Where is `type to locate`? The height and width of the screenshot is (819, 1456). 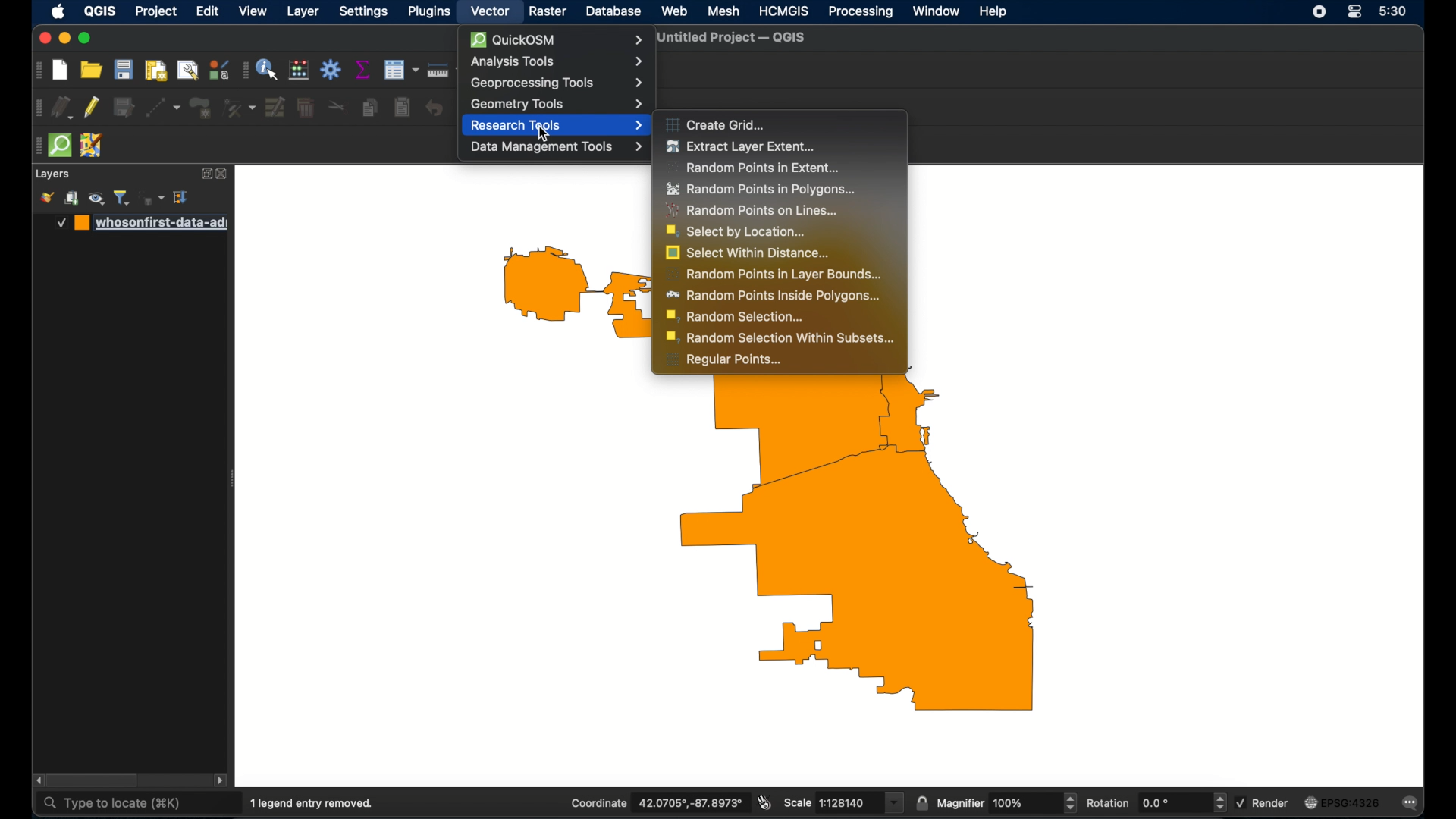
type to locate is located at coordinates (115, 805).